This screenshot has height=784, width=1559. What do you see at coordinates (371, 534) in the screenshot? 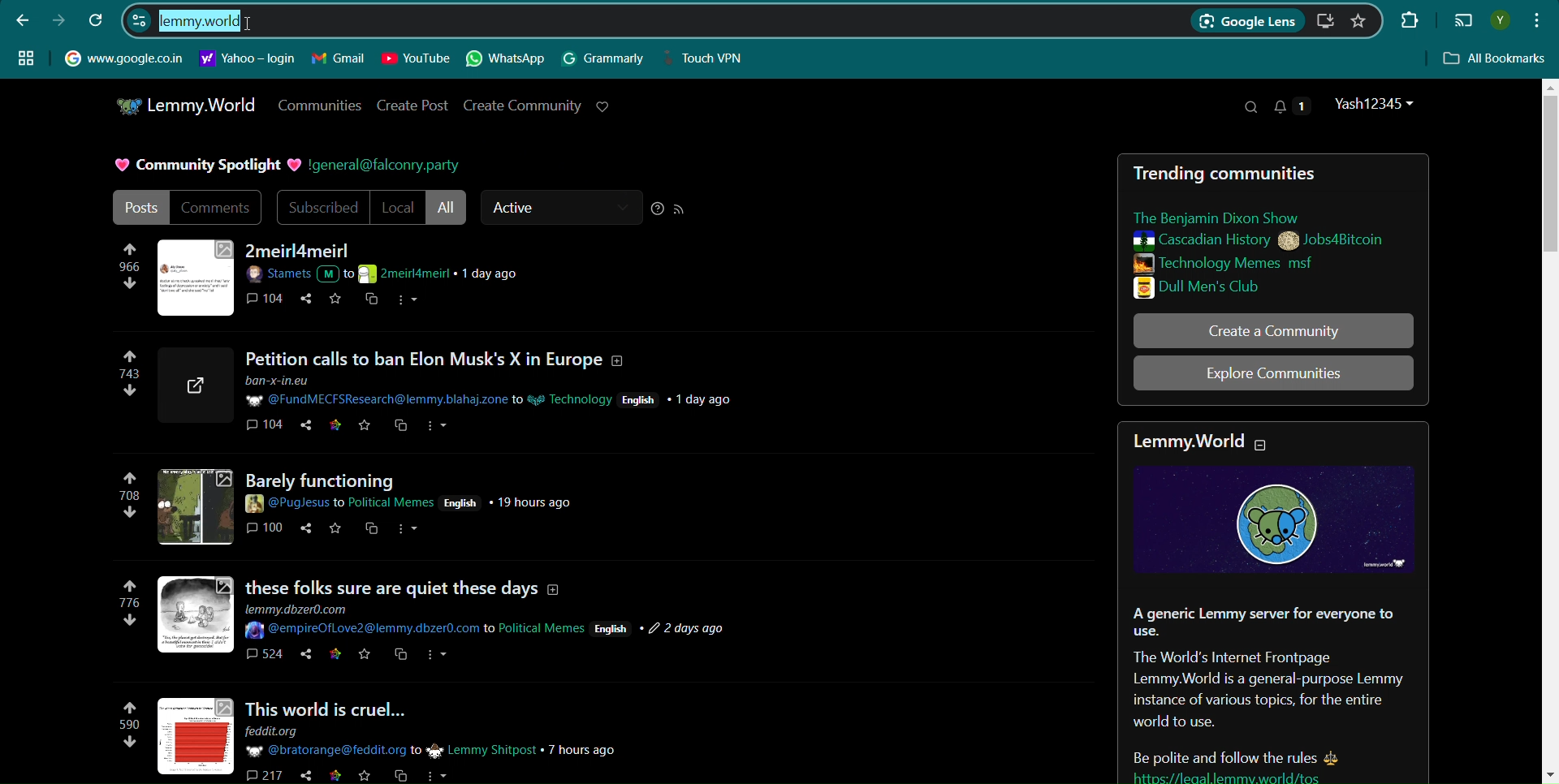
I see `copy` at bounding box center [371, 534].